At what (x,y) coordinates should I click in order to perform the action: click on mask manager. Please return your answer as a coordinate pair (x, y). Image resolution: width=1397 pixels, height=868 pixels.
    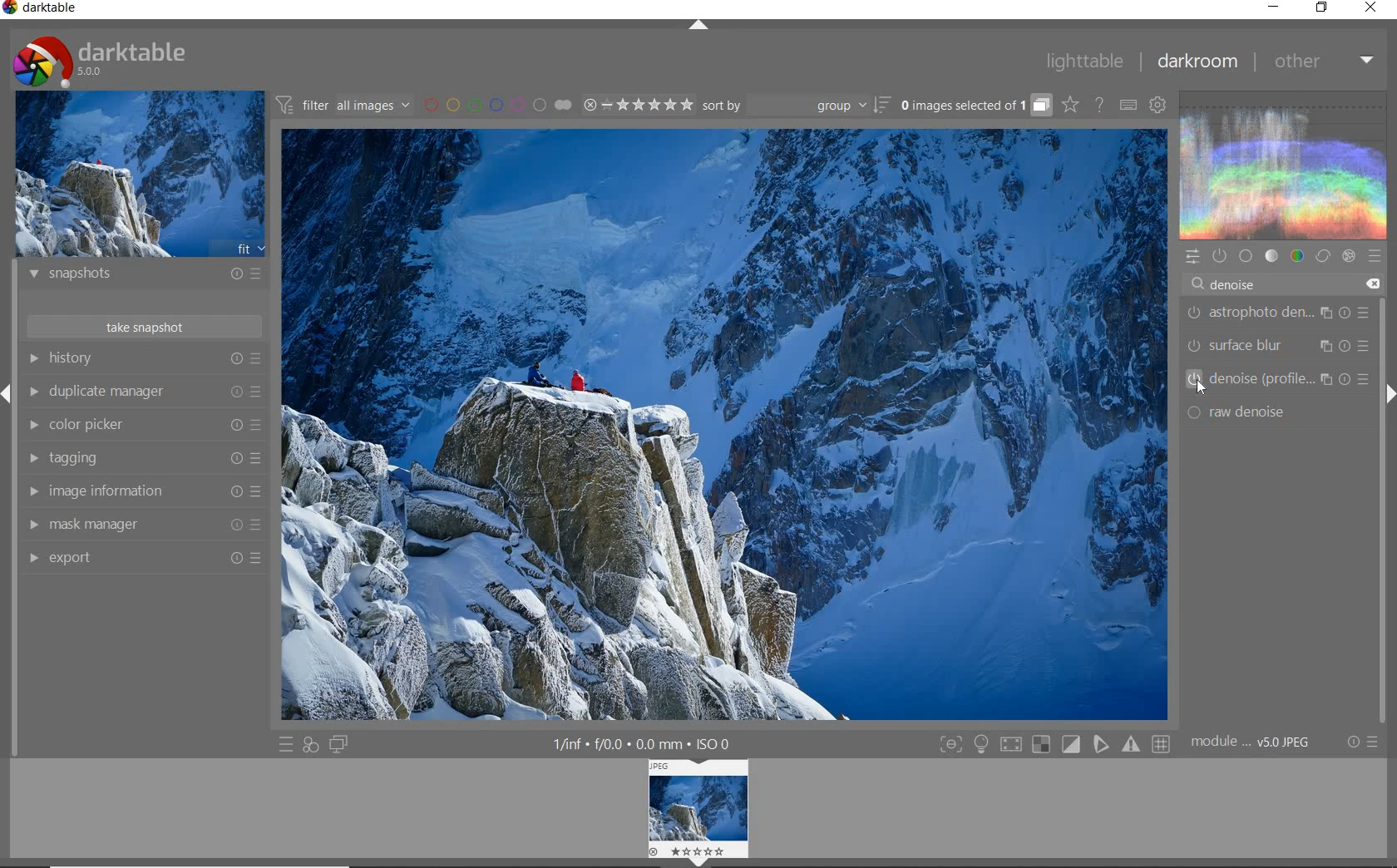
    Looking at the image, I should click on (142, 525).